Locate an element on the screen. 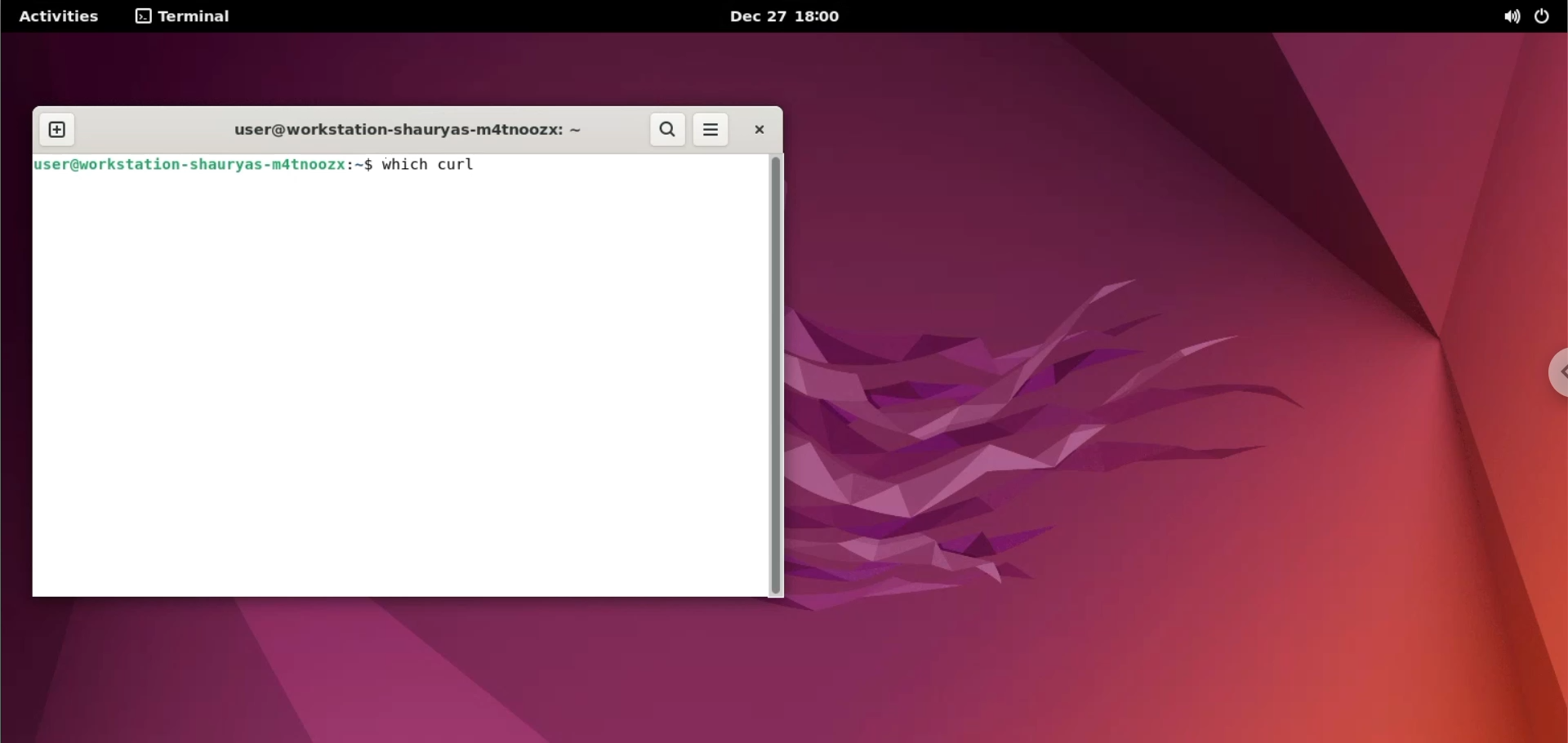 This screenshot has height=743, width=1568. close is located at coordinates (759, 128).